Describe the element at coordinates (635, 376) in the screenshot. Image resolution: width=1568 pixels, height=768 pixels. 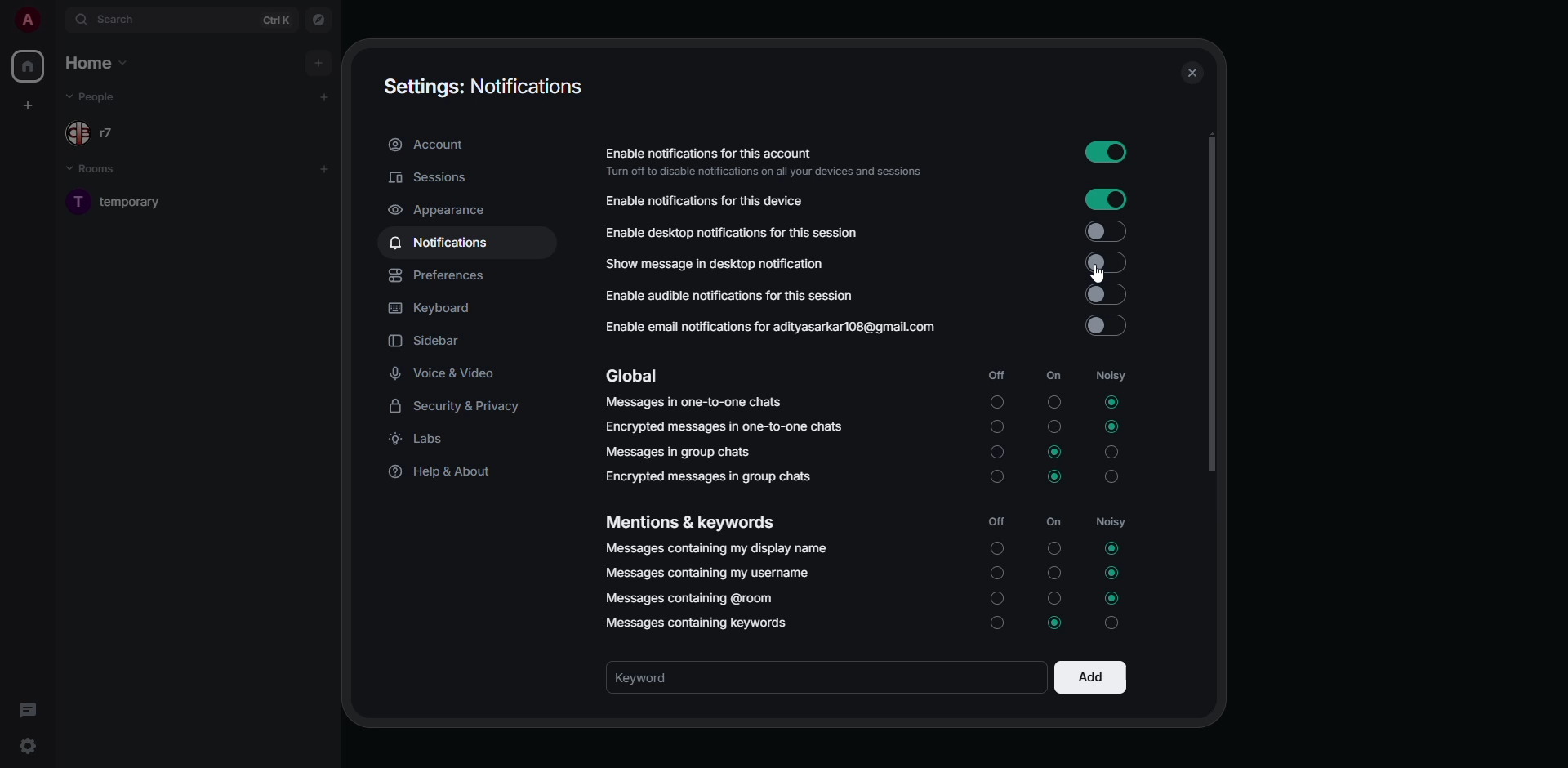
I see `global` at that location.